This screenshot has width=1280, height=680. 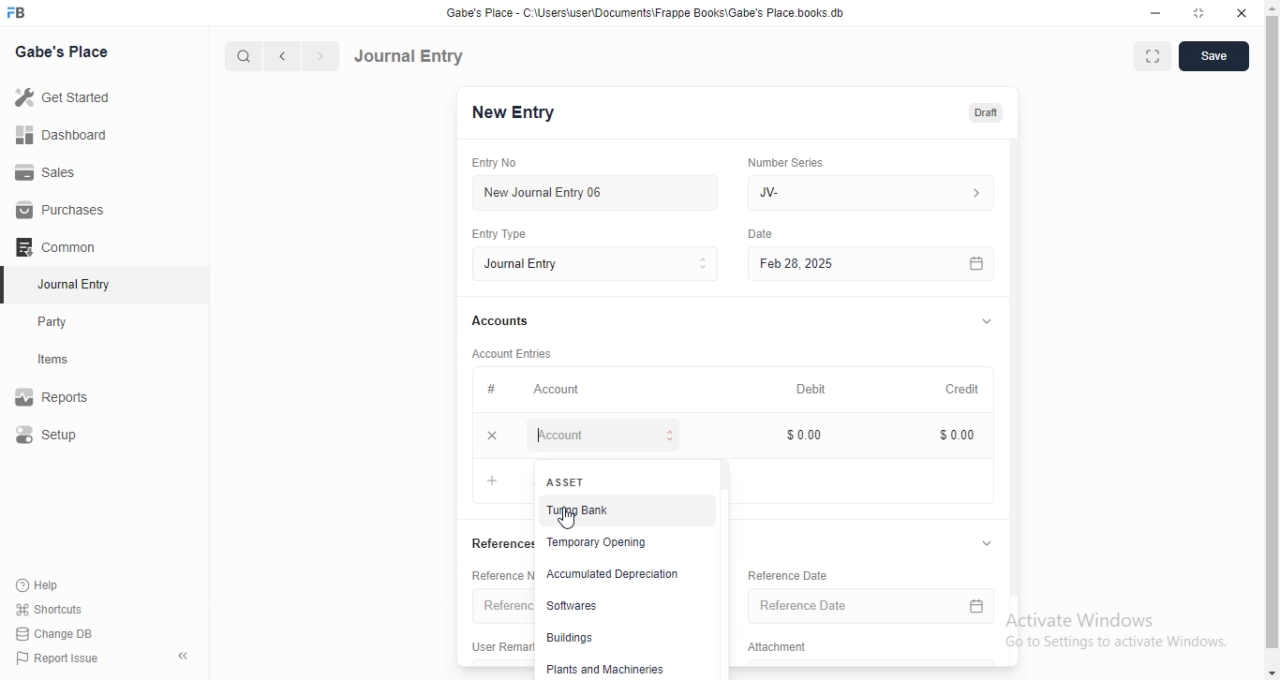 What do you see at coordinates (67, 97) in the screenshot?
I see `Get Started` at bounding box center [67, 97].